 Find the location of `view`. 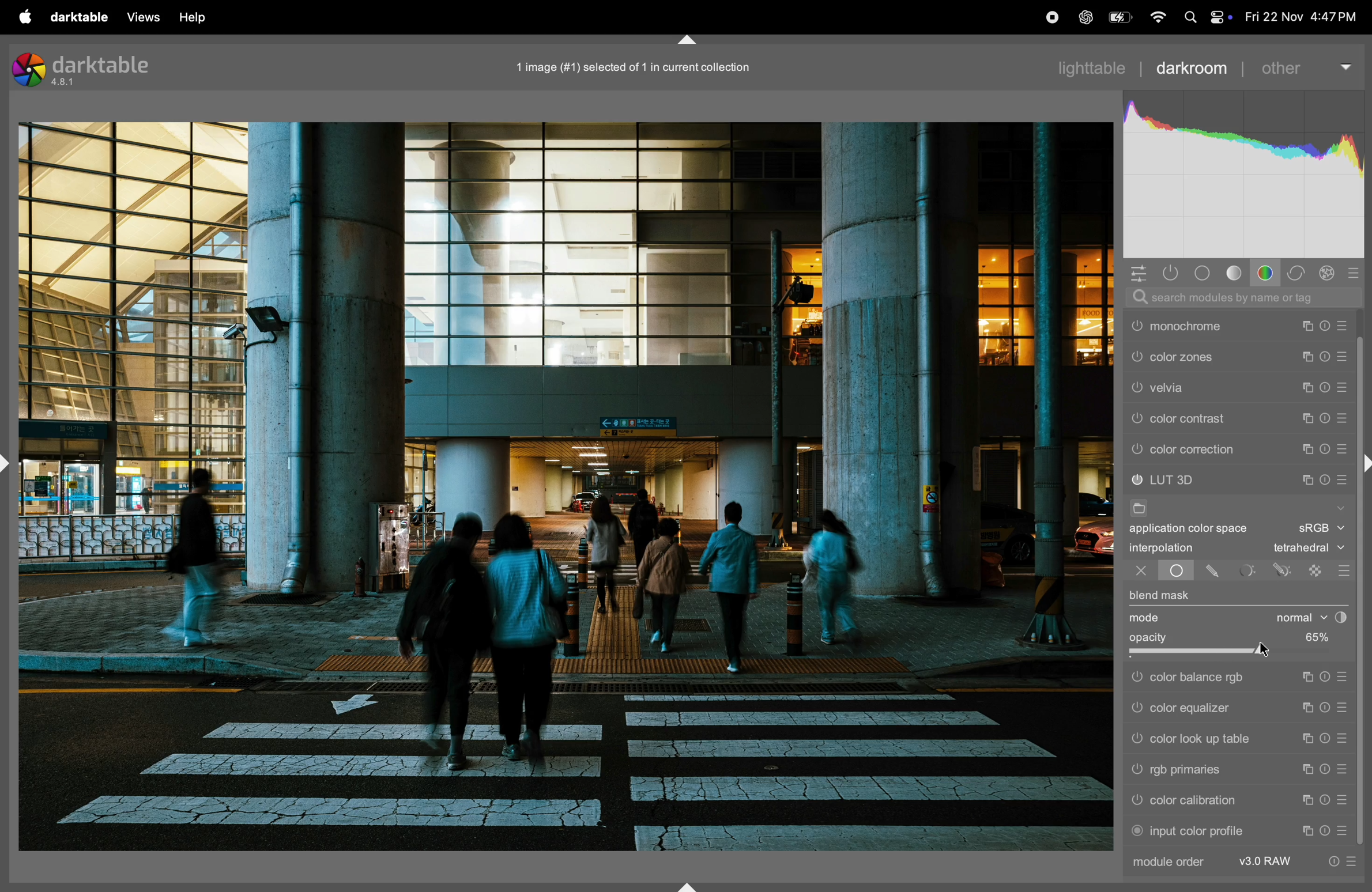

view is located at coordinates (200, 18).